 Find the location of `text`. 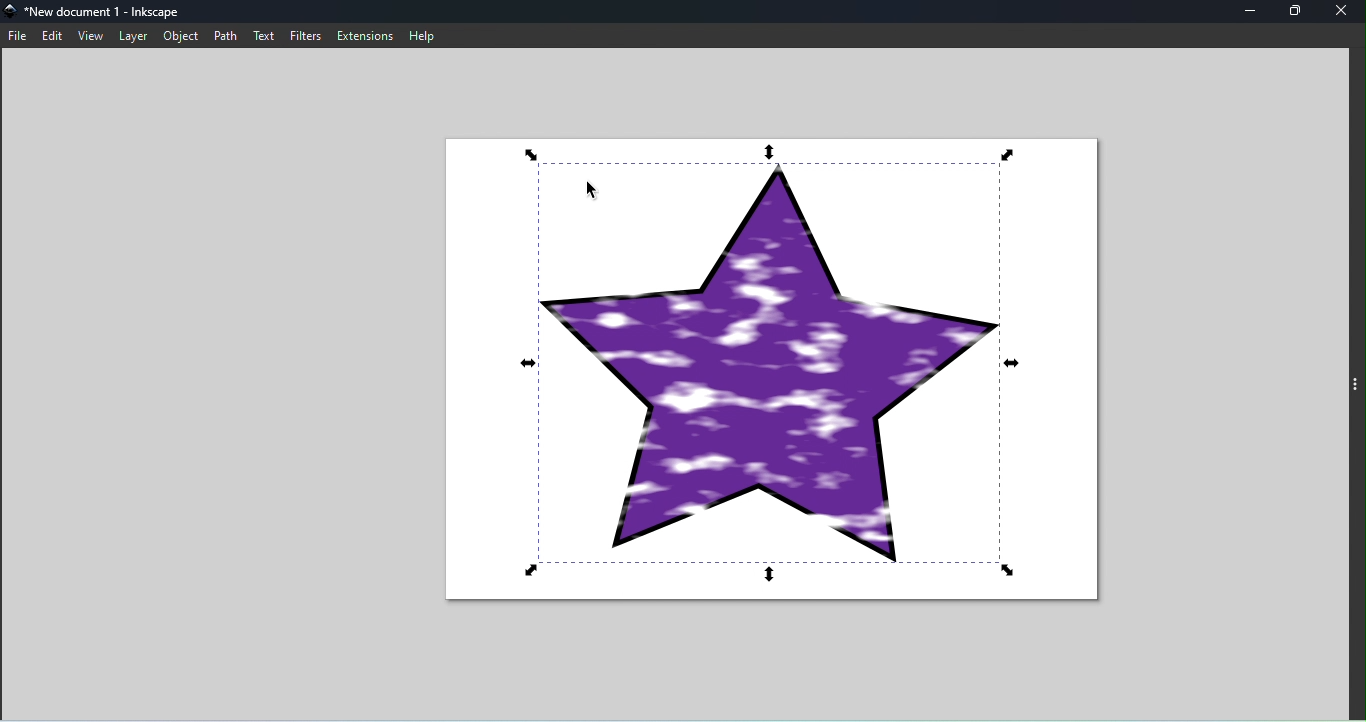

text is located at coordinates (262, 35).